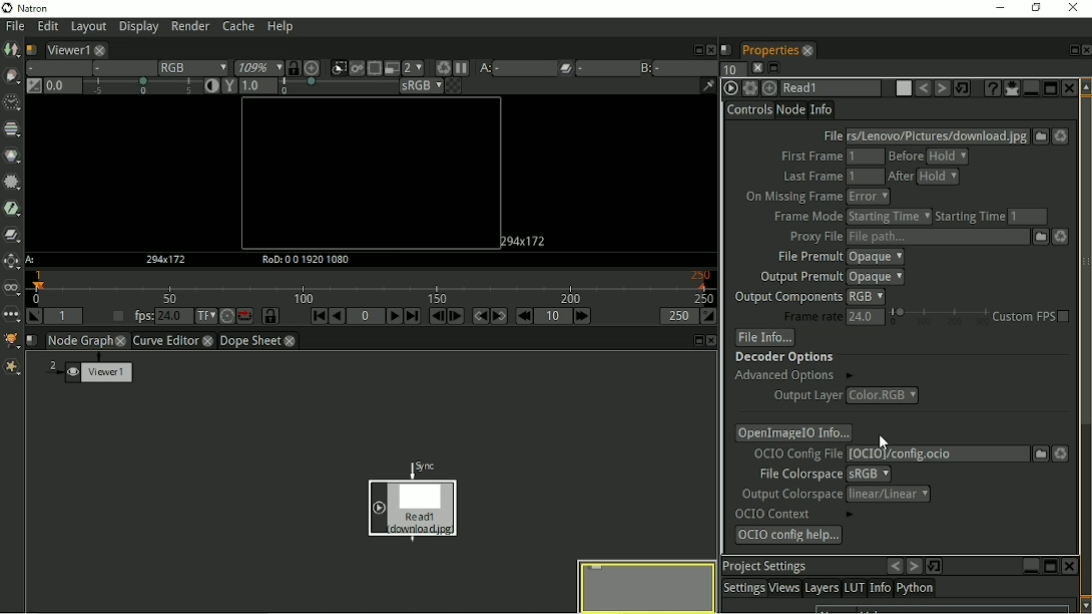 The width and height of the screenshot is (1092, 614). I want to click on Gamma correction, so click(303, 87).